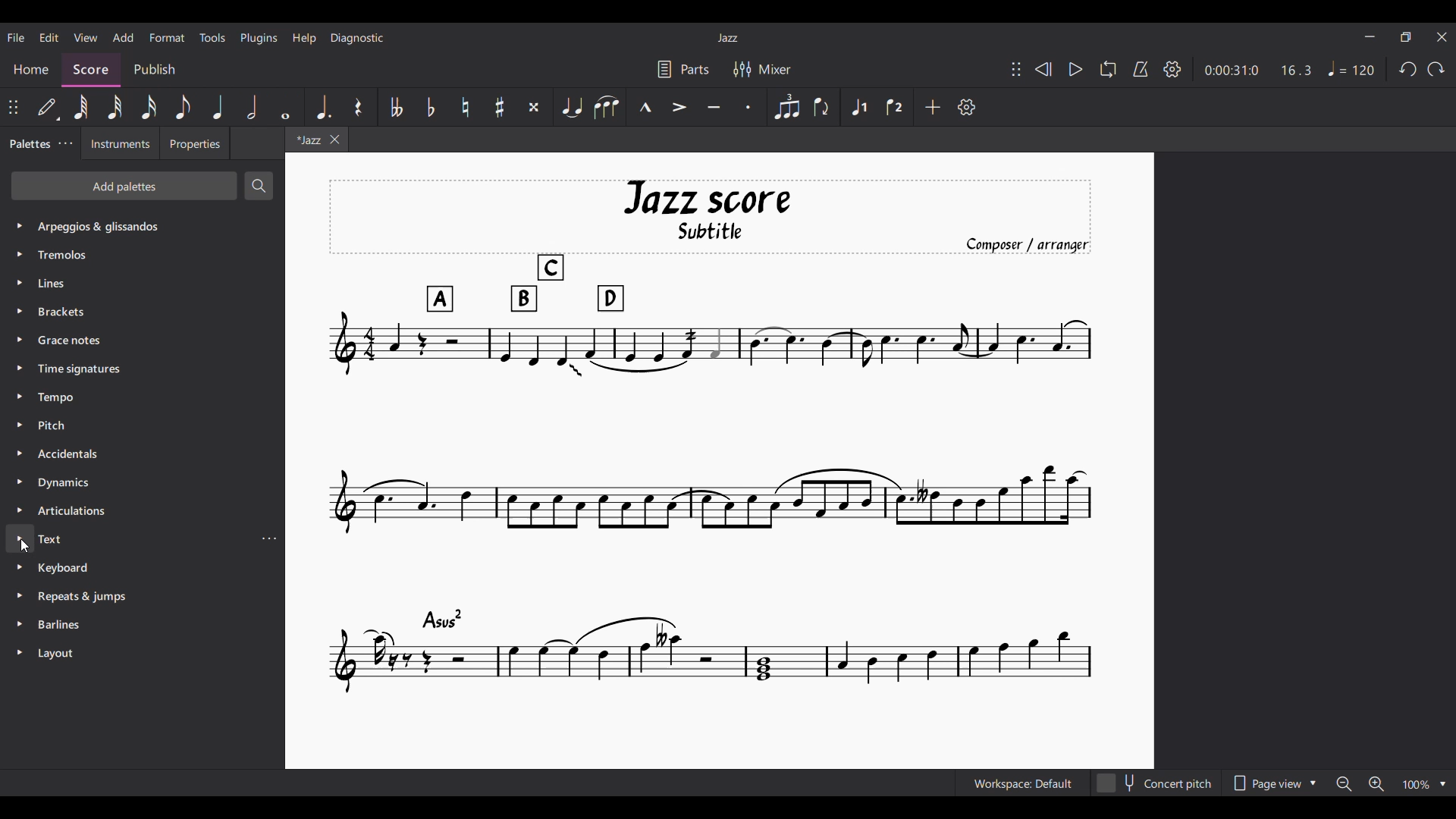 Image resolution: width=1456 pixels, height=819 pixels. What do you see at coordinates (967, 107) in the screenshot?
I see `Settings` at bounding box center [967, 107].